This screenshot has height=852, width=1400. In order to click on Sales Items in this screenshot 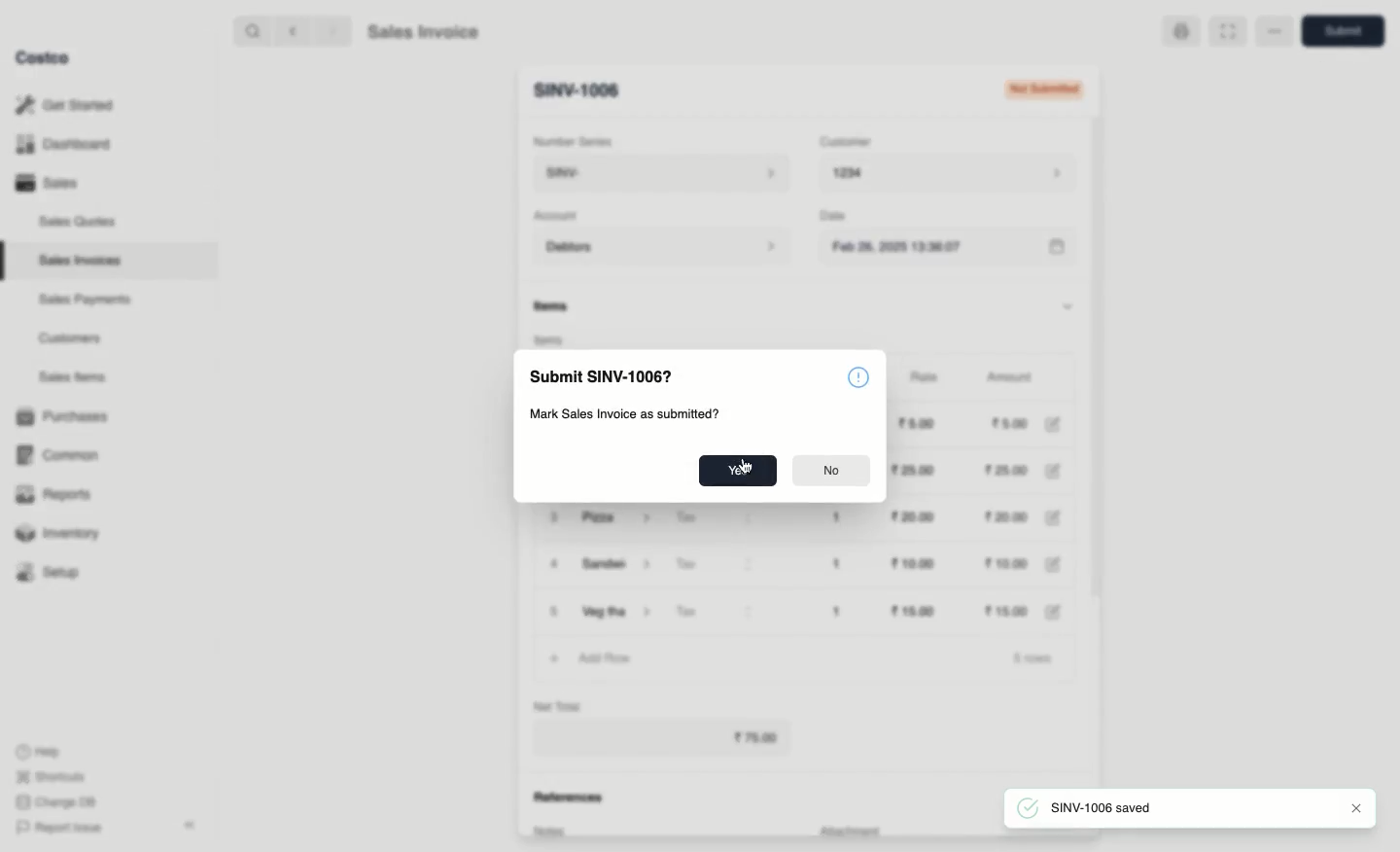, I will do `click(77, 377)`.